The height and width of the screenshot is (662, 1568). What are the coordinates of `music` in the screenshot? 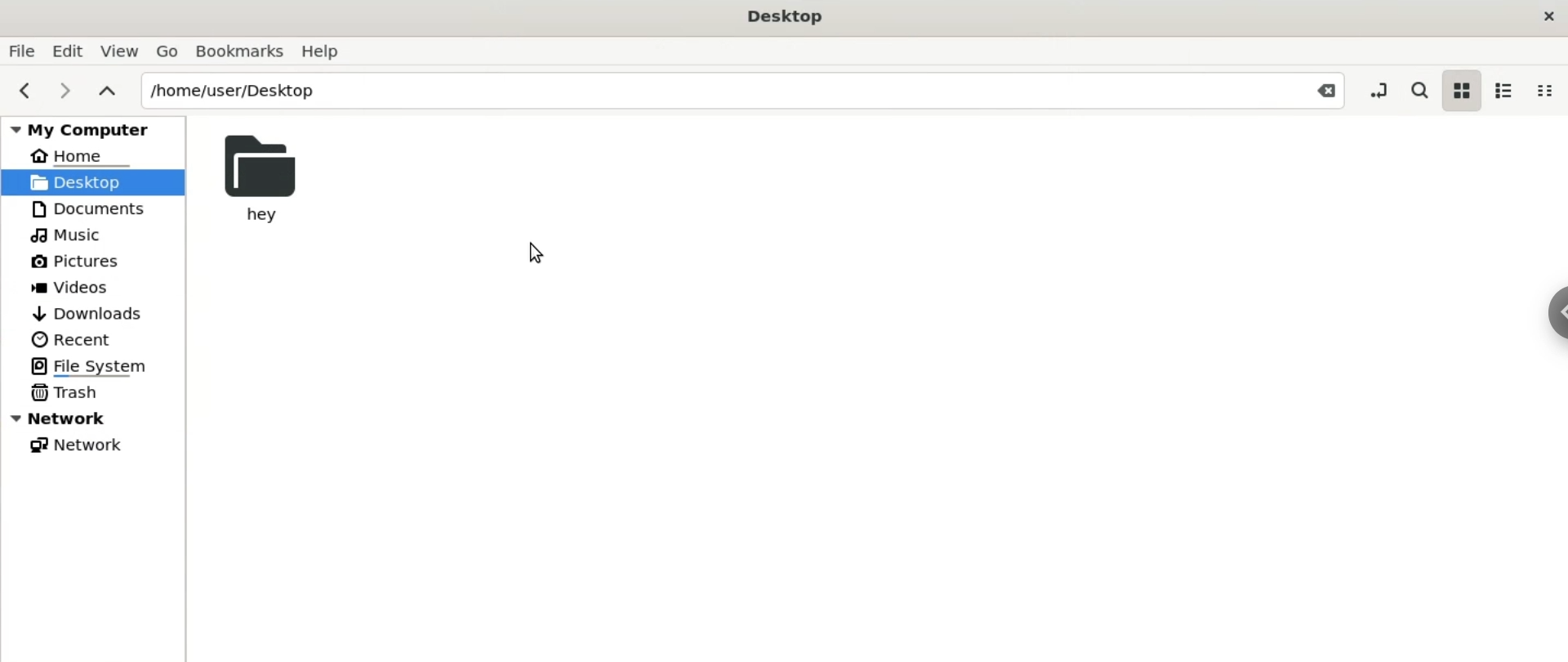 It's located at (65, 235).